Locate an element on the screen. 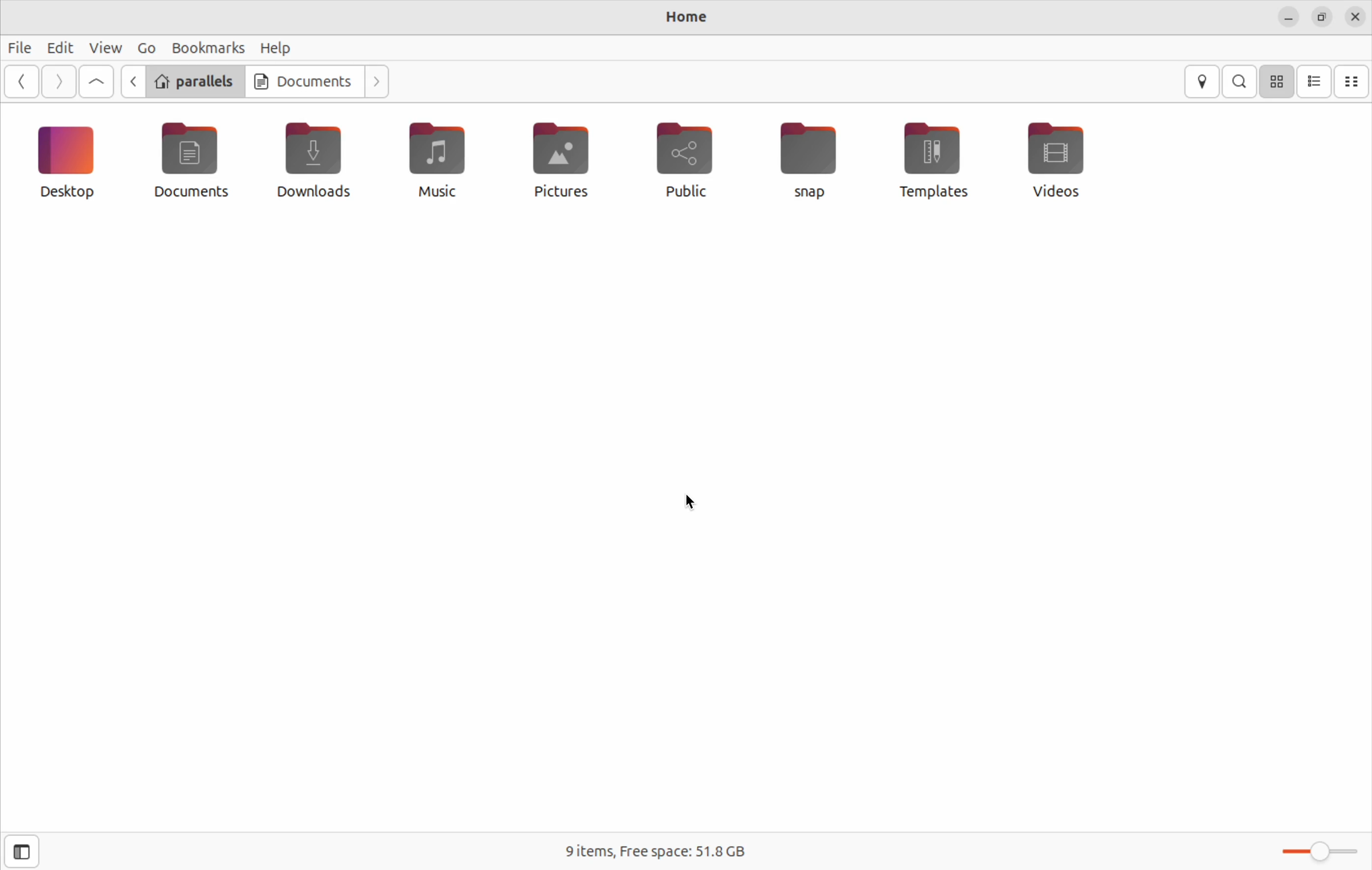 The width and height of the screenshot is (1372, 870). minimize is located at coordinates (1288, 19).